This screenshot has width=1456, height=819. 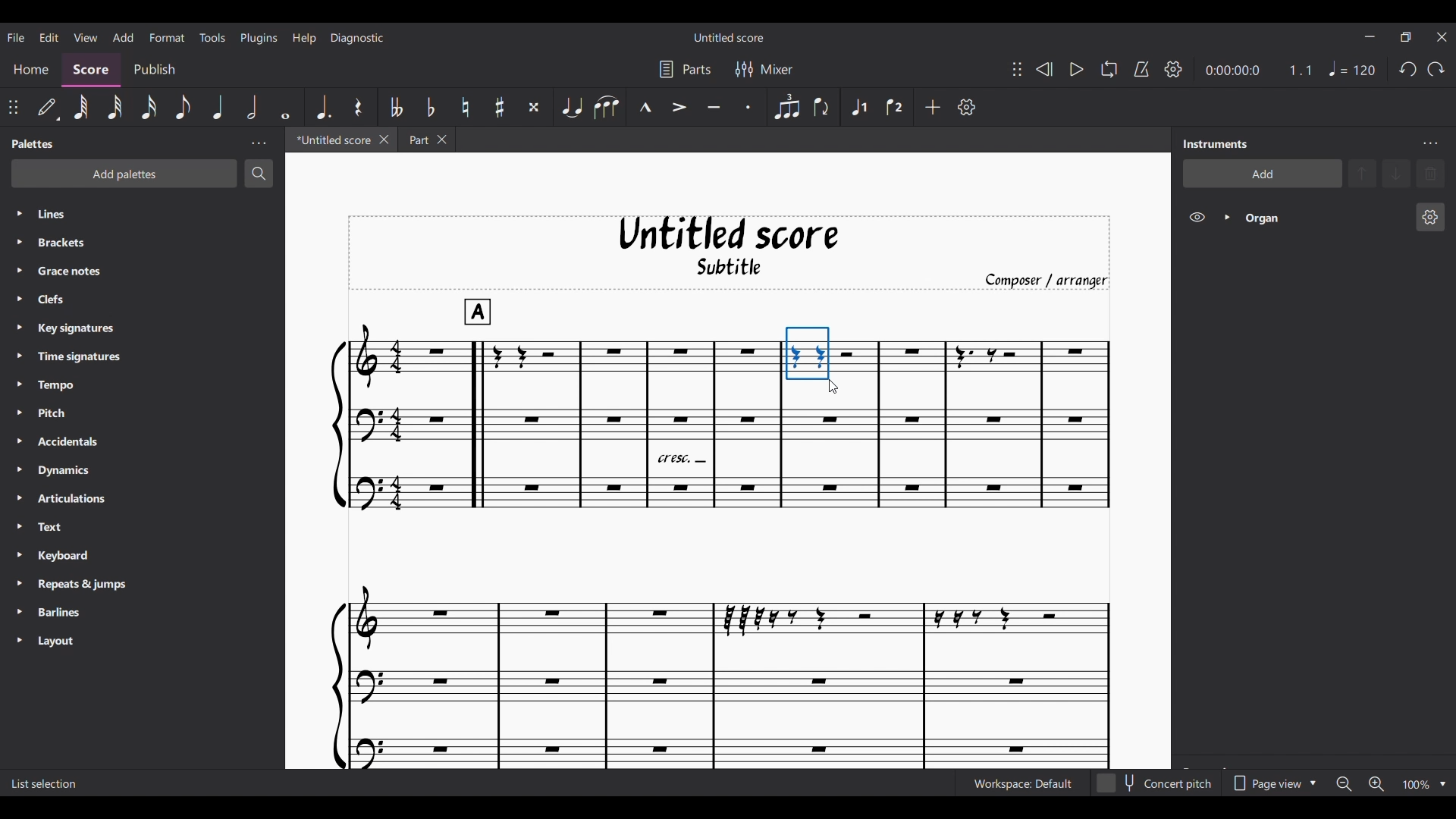 What do you see at coordinates (605, 107) in the screenshot?
I see `Slur` at bounding box center [605, 107].